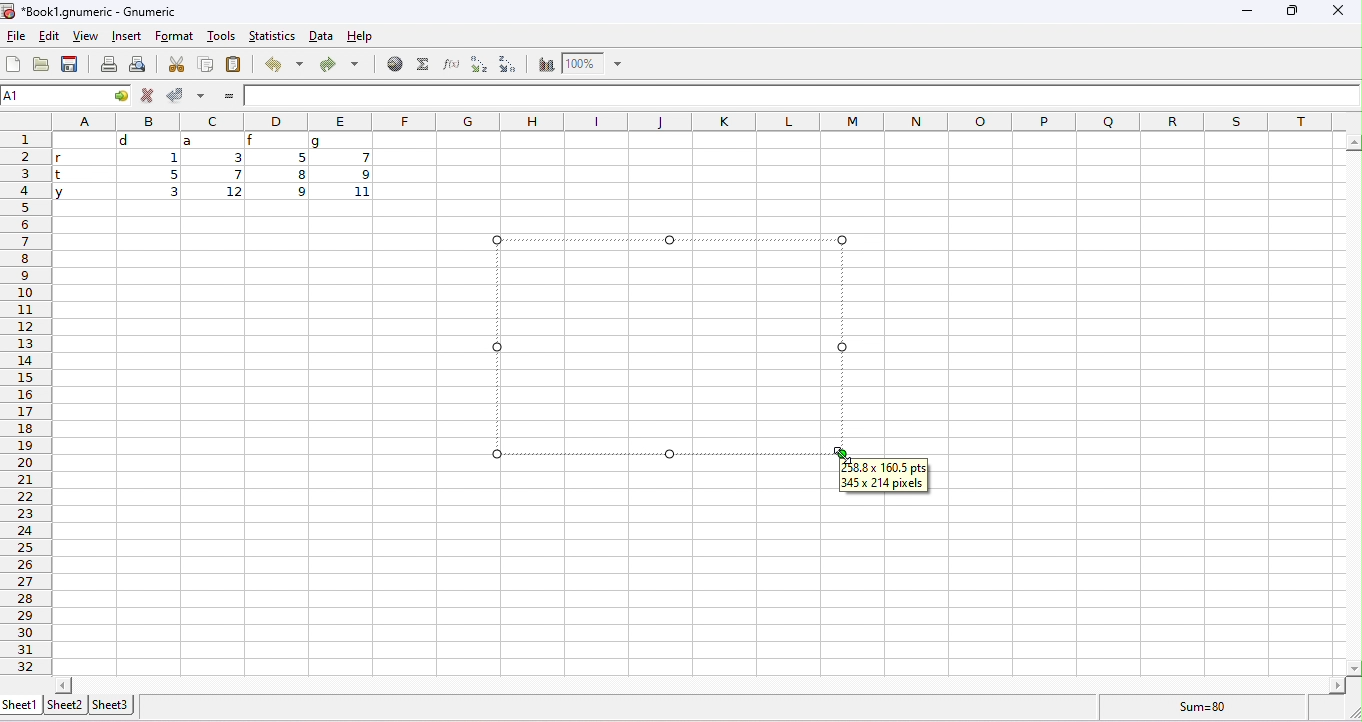  I want to click on minimize, so click(1247, 14).